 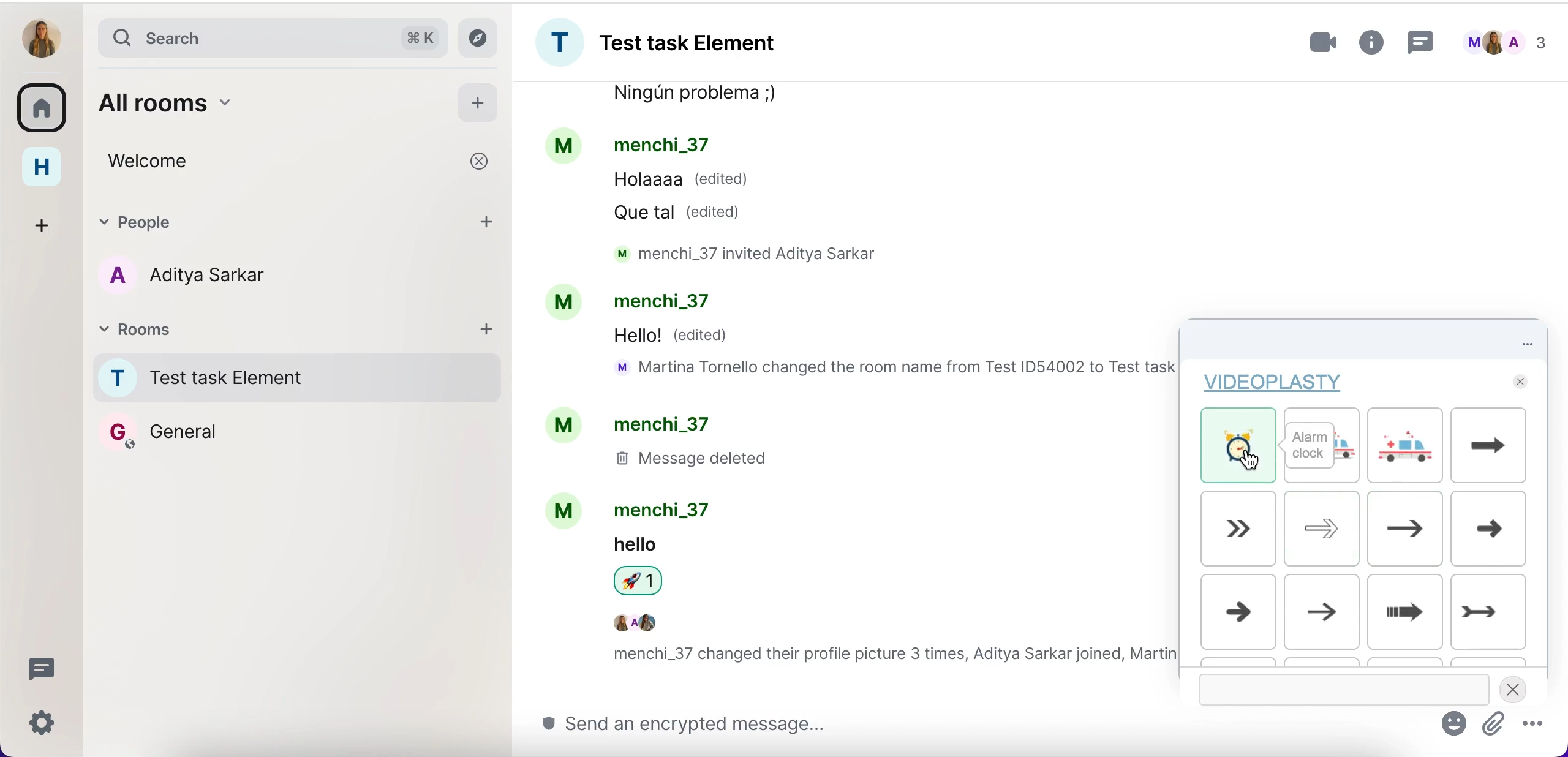 What do you see at coordinates (1532, 724) in the screenshot?
I see `more options` at bounding box center [1532, 724].